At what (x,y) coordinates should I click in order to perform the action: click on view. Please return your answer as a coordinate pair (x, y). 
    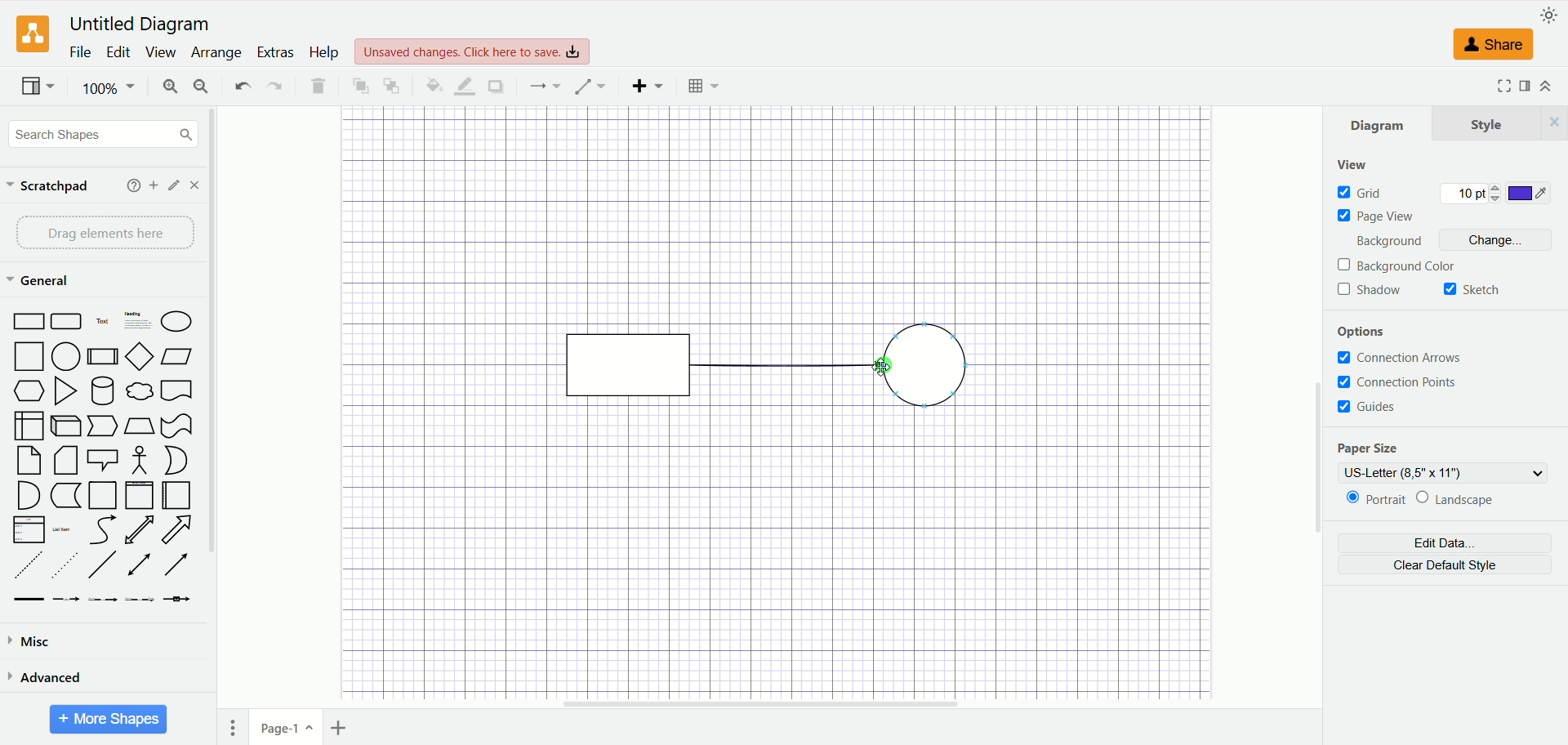
    Looking at the image, I should click on (37, 86).